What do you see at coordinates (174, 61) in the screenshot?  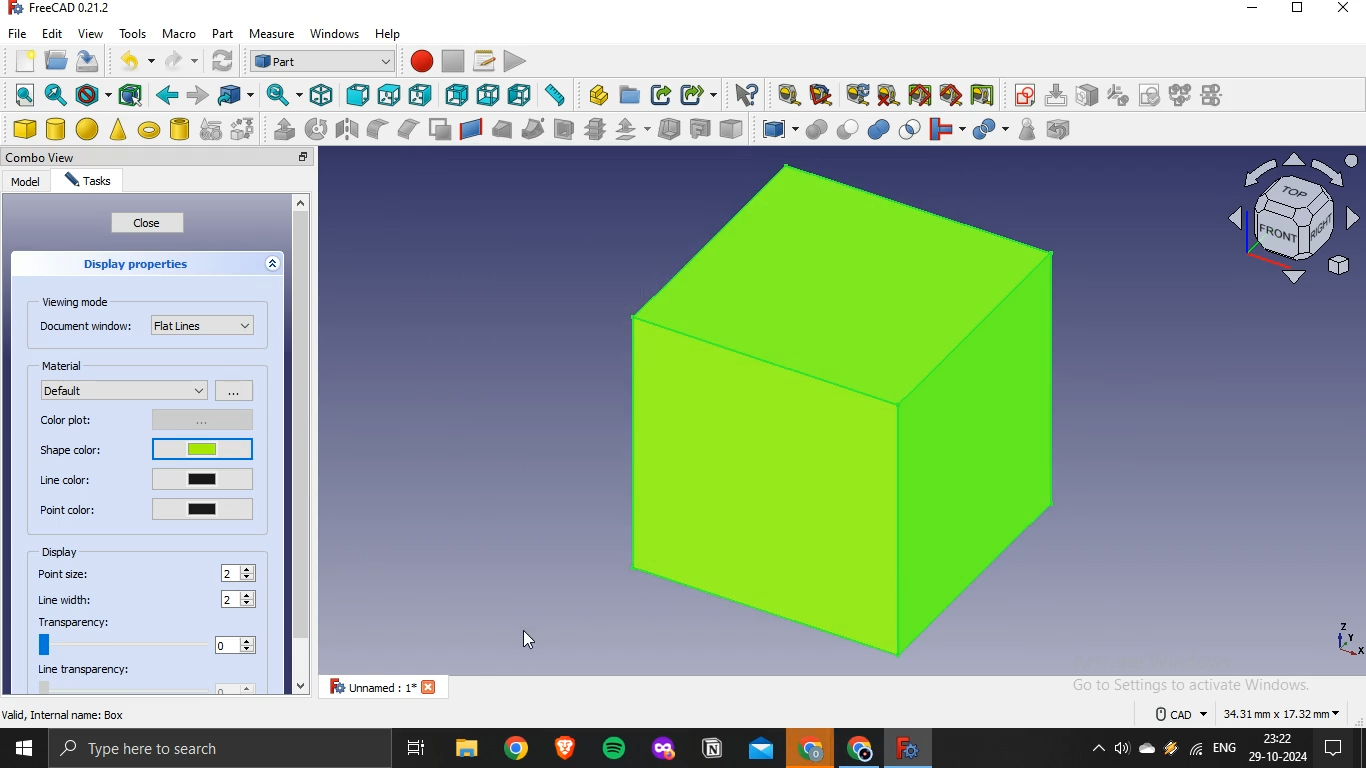 I see `redo` at bounding box center [174, 61].